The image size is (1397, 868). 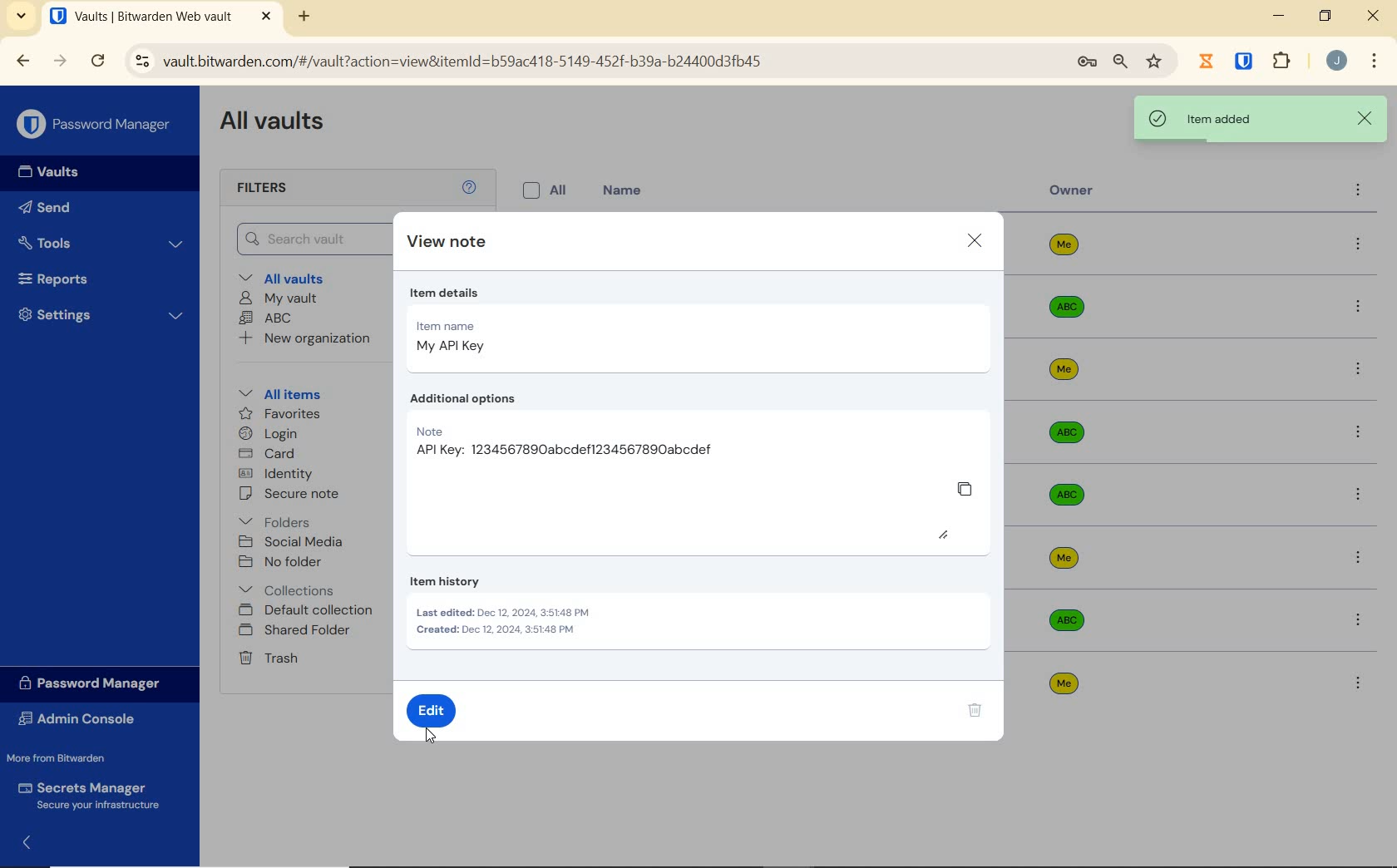 What do you see at coordinates (101, 241) in the screenshot?
I see `Tools` at bounding box center [101, 241].